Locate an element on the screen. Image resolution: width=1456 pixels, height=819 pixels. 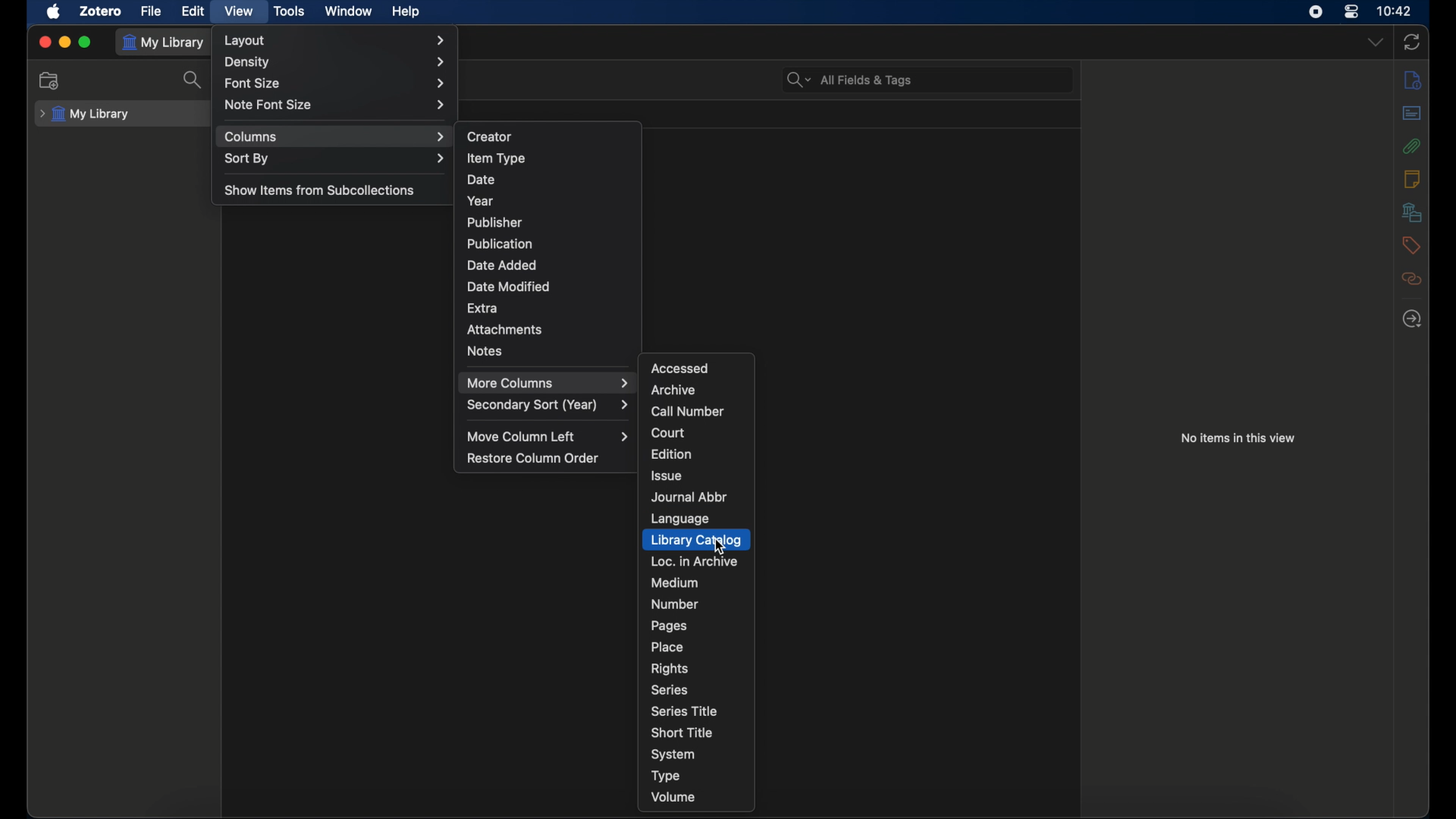
my library is located at coordinates (86, 114).